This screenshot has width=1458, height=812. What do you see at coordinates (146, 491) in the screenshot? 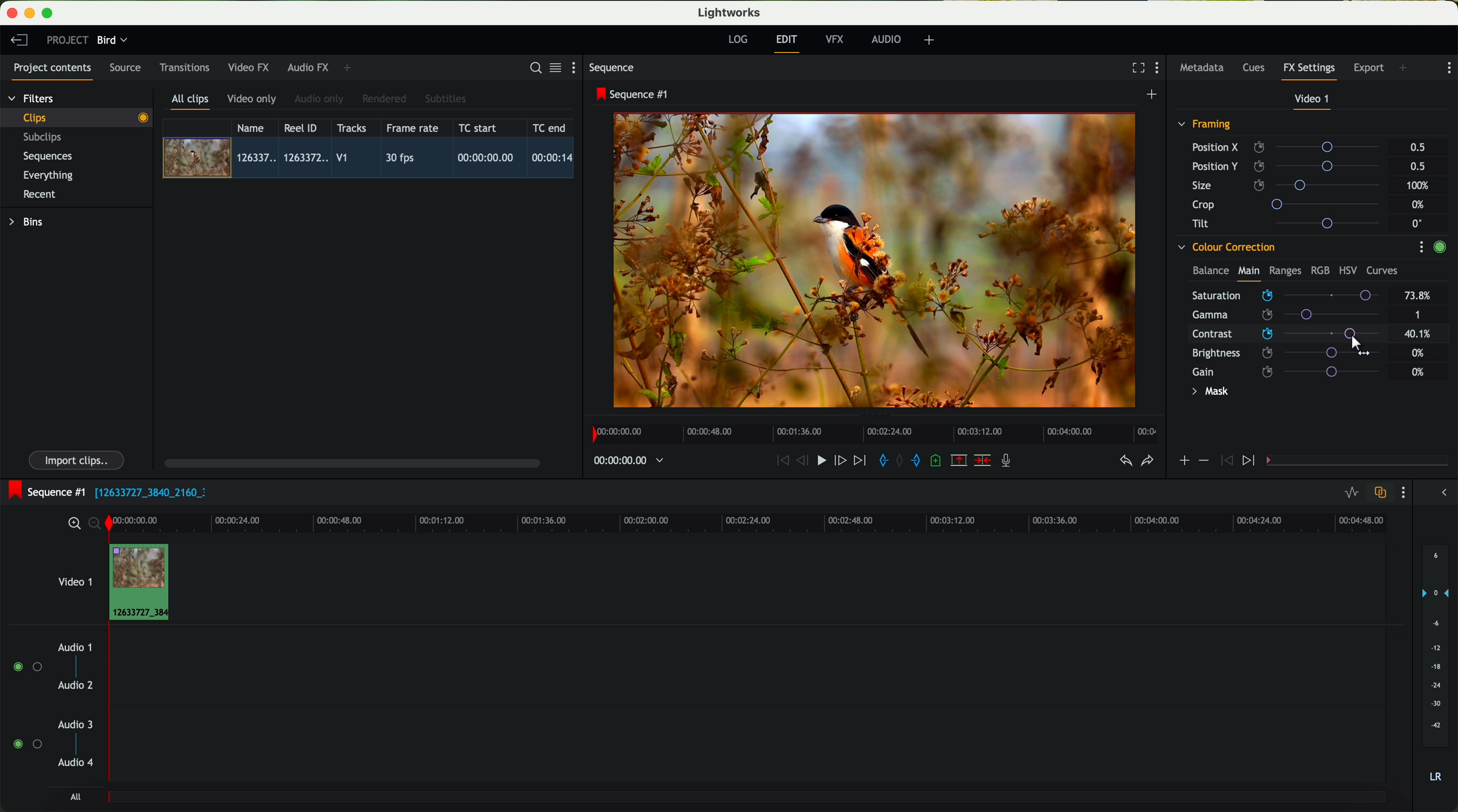
I see `black` at bounding box center [146, 491].